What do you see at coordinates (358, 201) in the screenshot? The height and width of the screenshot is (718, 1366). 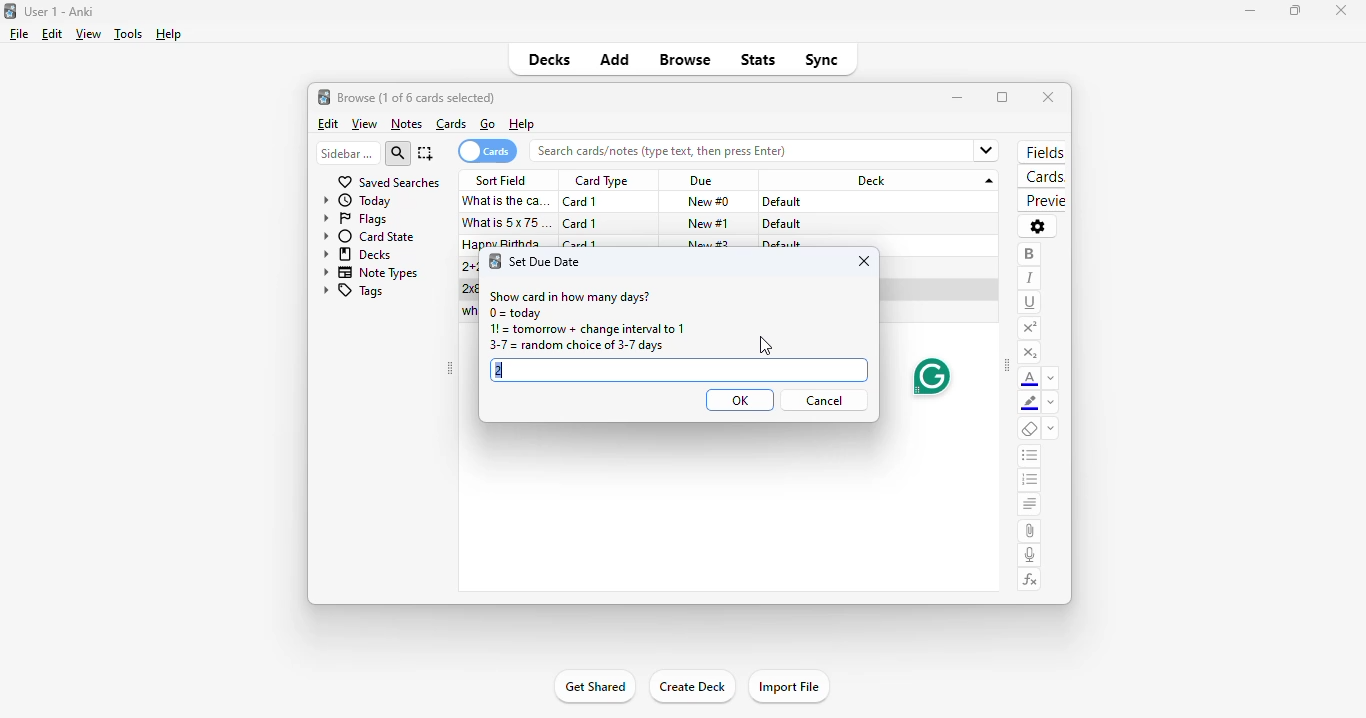 I see `today` at bounding box center [358, 201].